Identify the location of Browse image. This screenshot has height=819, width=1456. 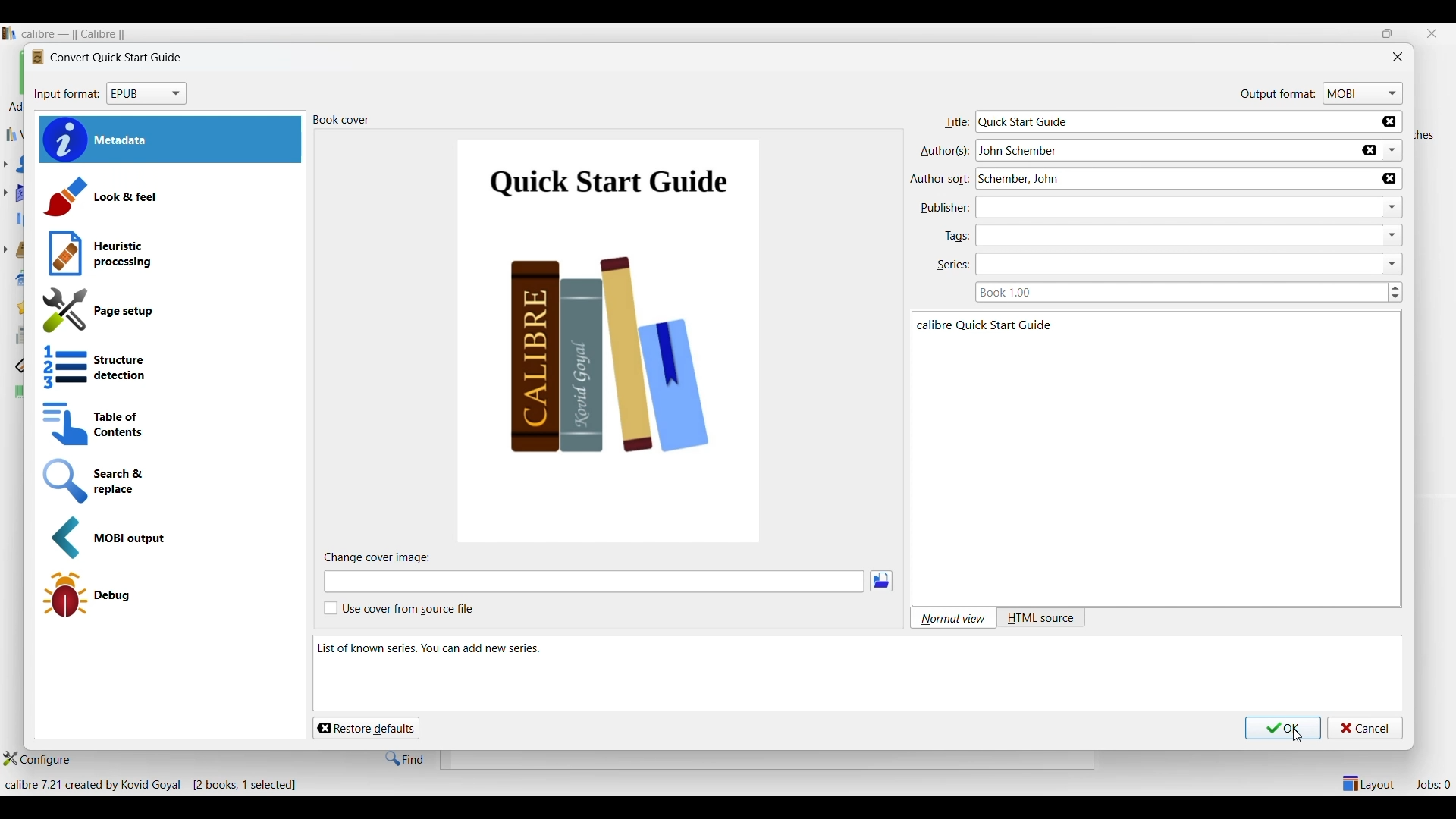
(881, 581).